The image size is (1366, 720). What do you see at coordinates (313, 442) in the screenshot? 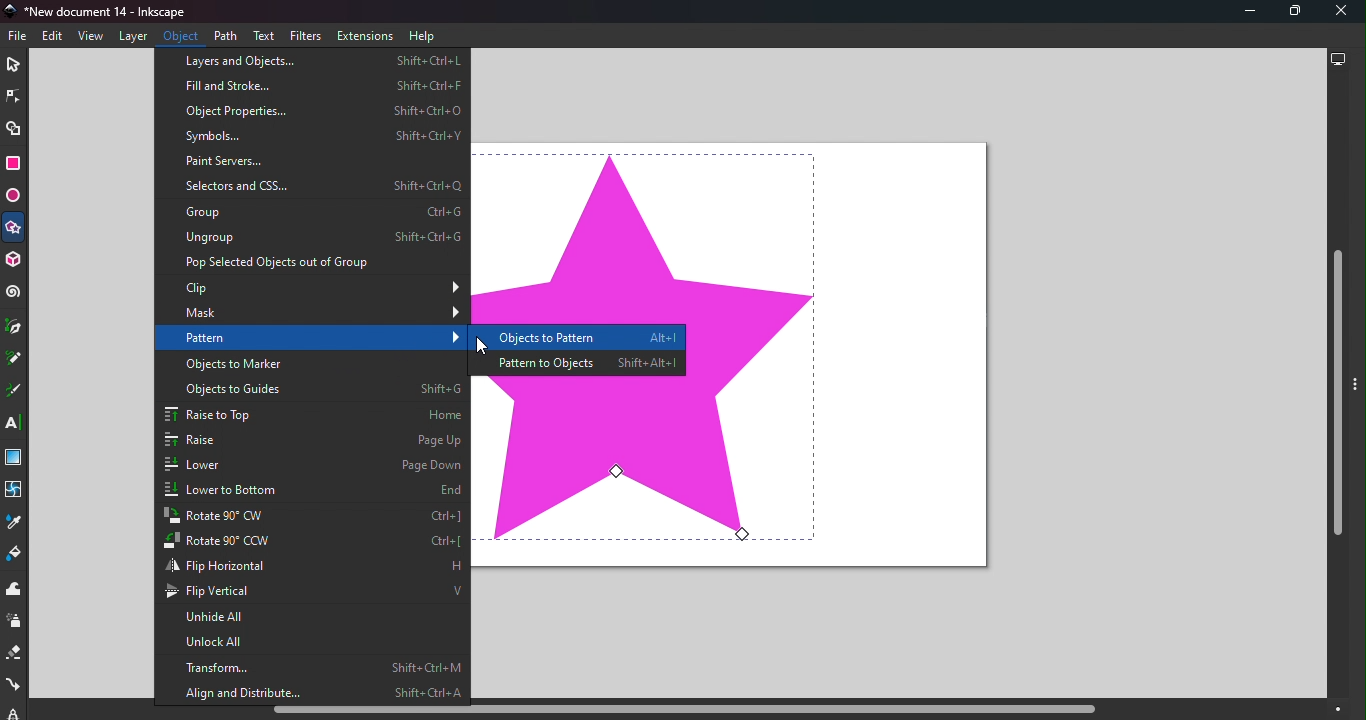
I see `Raise` at bounding box center [313, 442].